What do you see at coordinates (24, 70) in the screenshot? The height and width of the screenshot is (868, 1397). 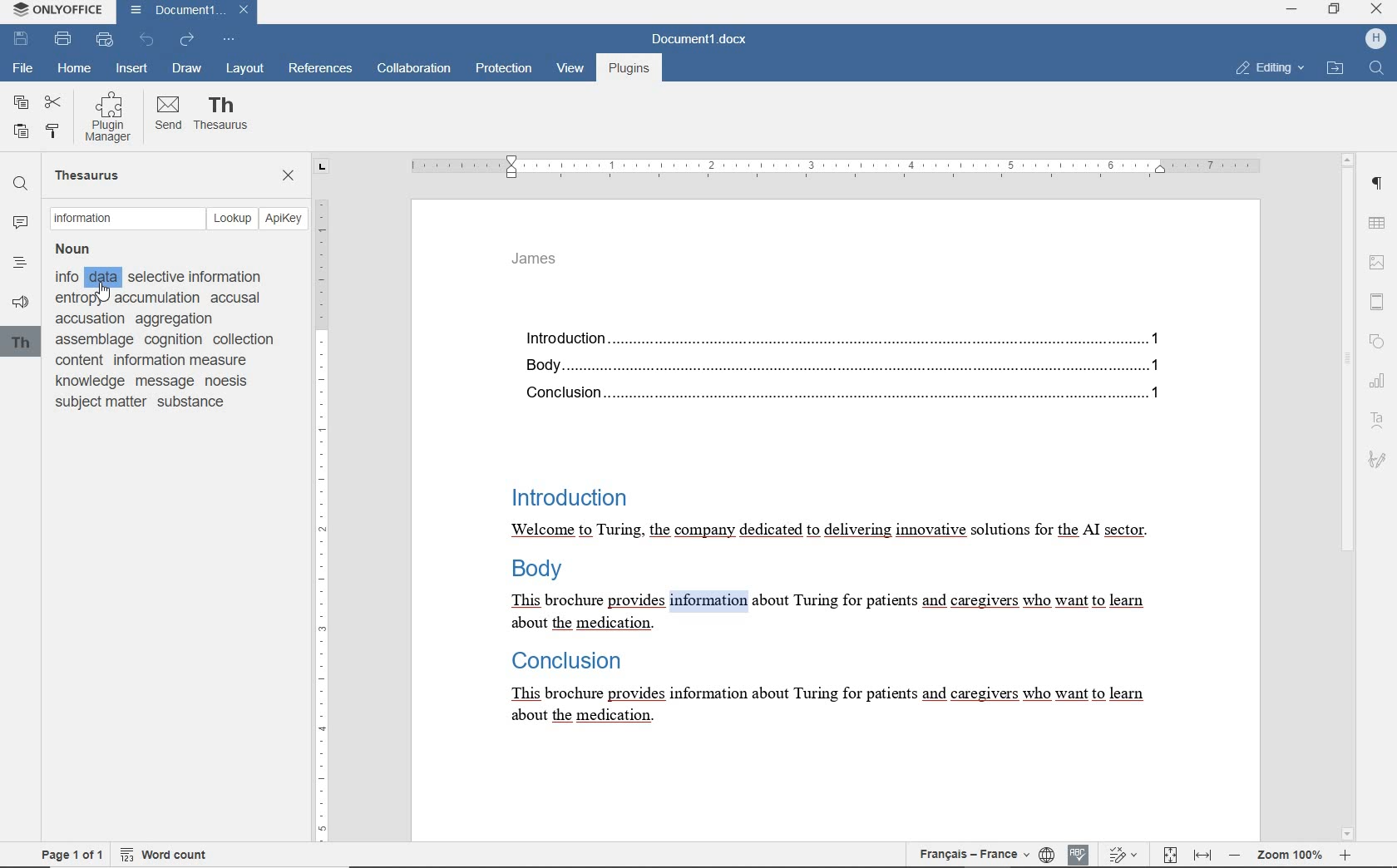 I see `FILE` at bounding box center [24, 70].